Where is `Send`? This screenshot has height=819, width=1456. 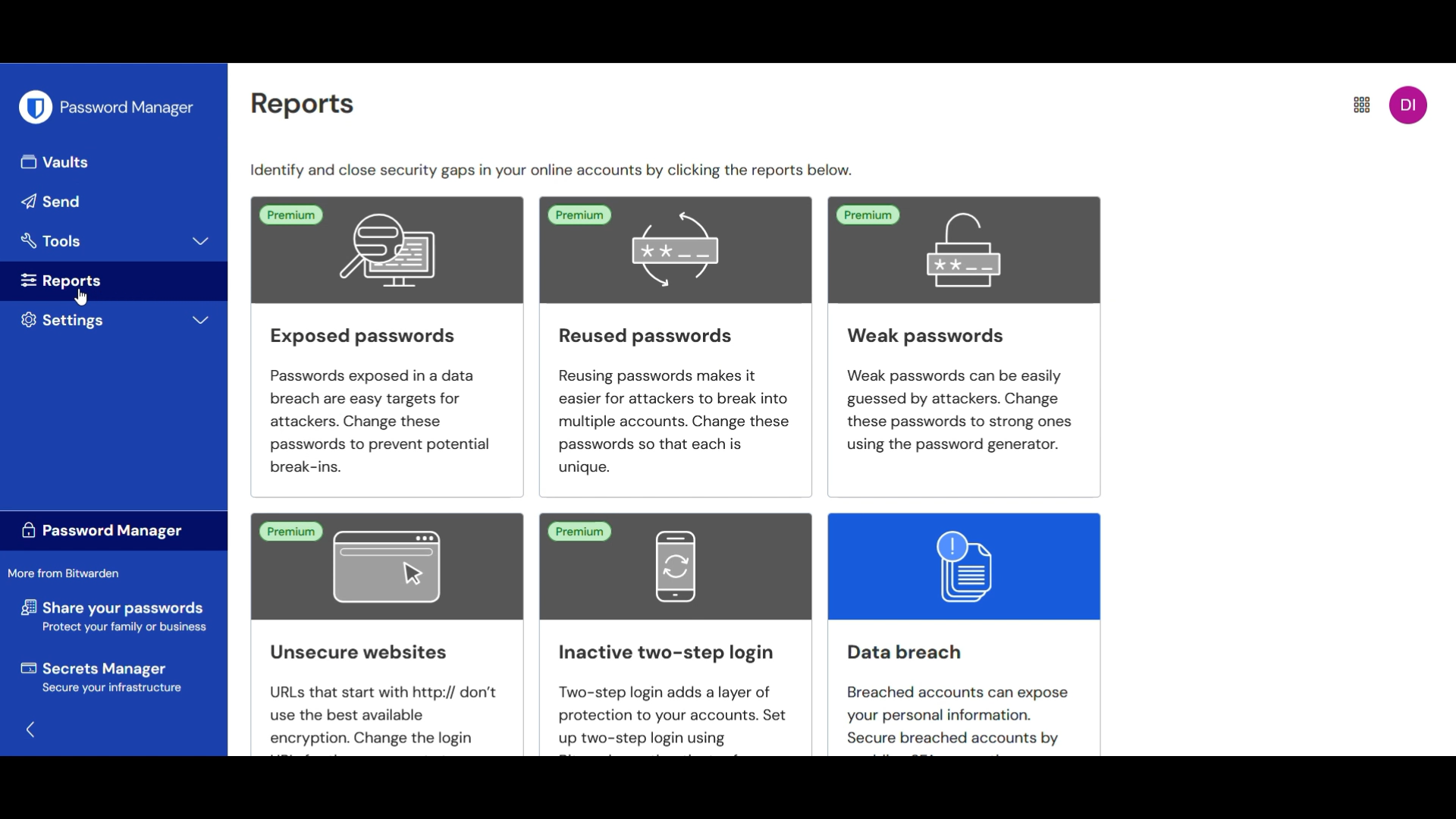
Send is located at coordinates (114, 202).